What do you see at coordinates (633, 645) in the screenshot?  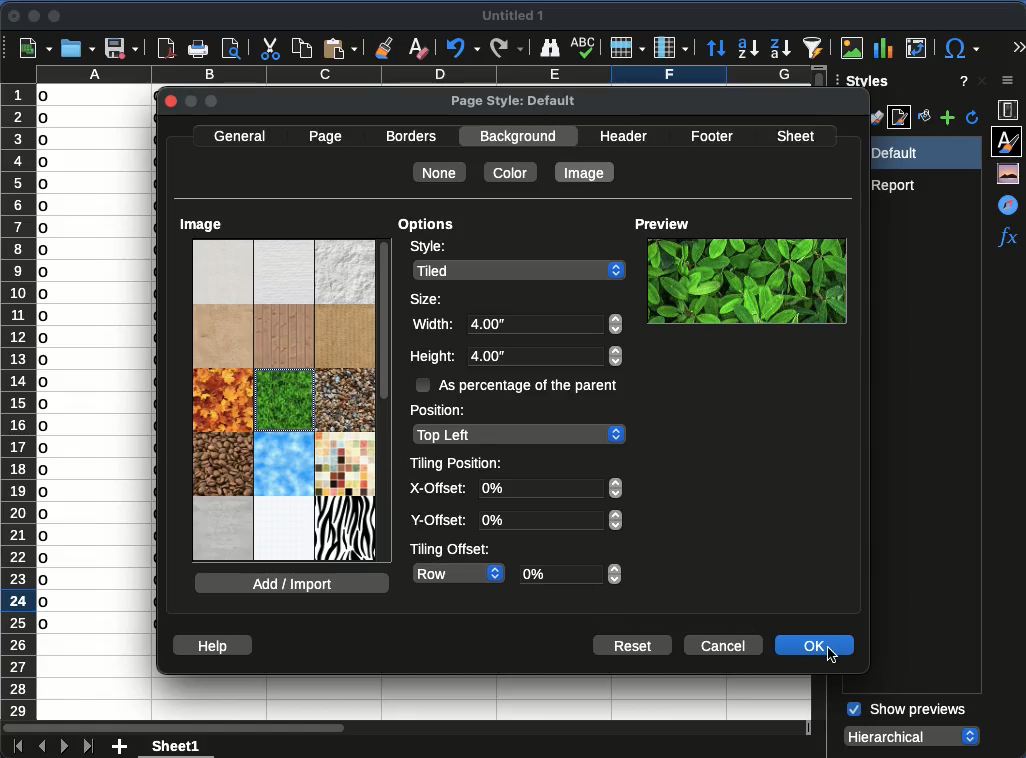 I see `reset` at bounding box center [633, 645].